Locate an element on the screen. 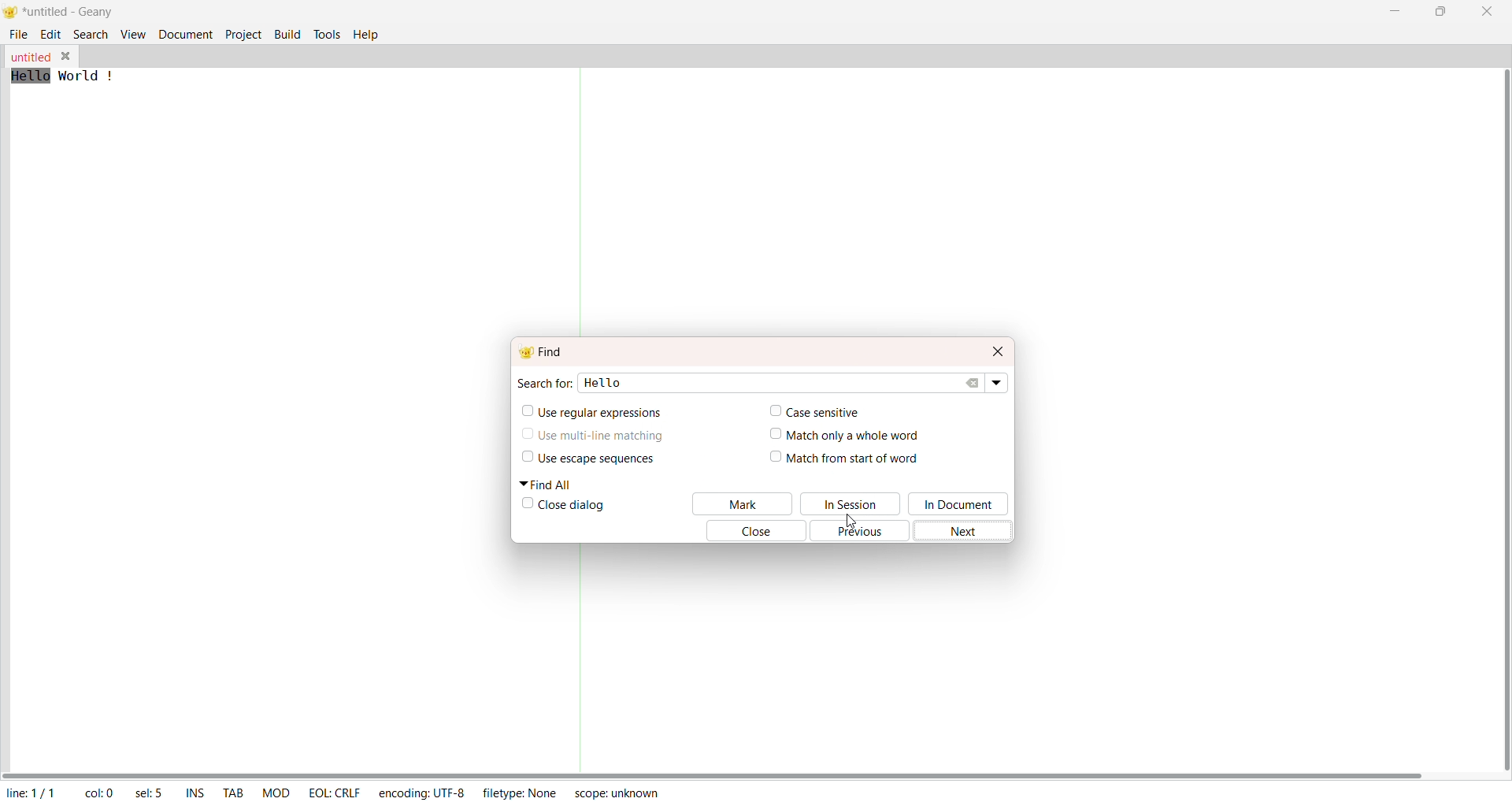 Image resolution: width=1512 pixels, height=802 pixels. mark is located at coordinates (743, 503).